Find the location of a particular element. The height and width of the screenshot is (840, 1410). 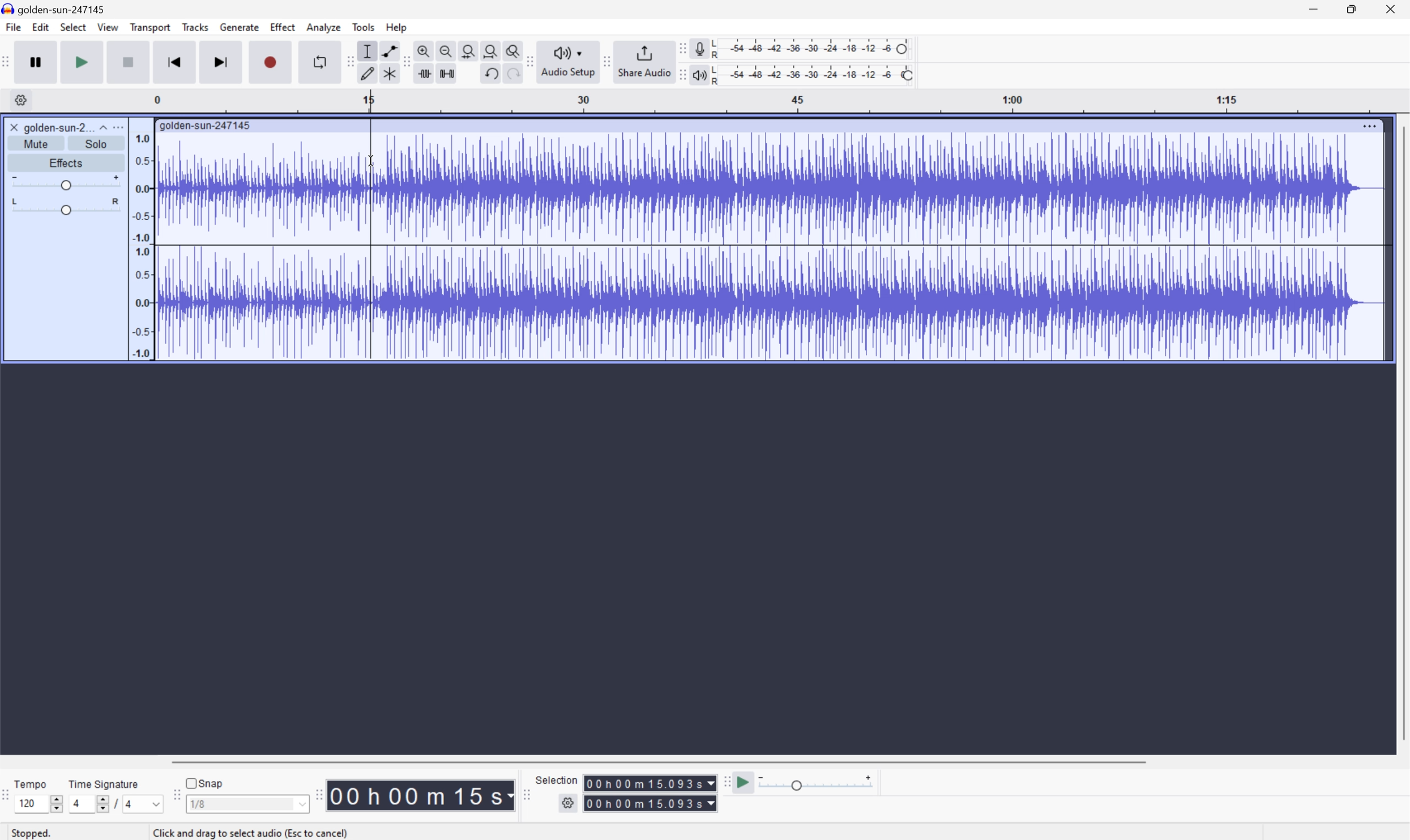

Audio setup is located at coordinates (570, 61).